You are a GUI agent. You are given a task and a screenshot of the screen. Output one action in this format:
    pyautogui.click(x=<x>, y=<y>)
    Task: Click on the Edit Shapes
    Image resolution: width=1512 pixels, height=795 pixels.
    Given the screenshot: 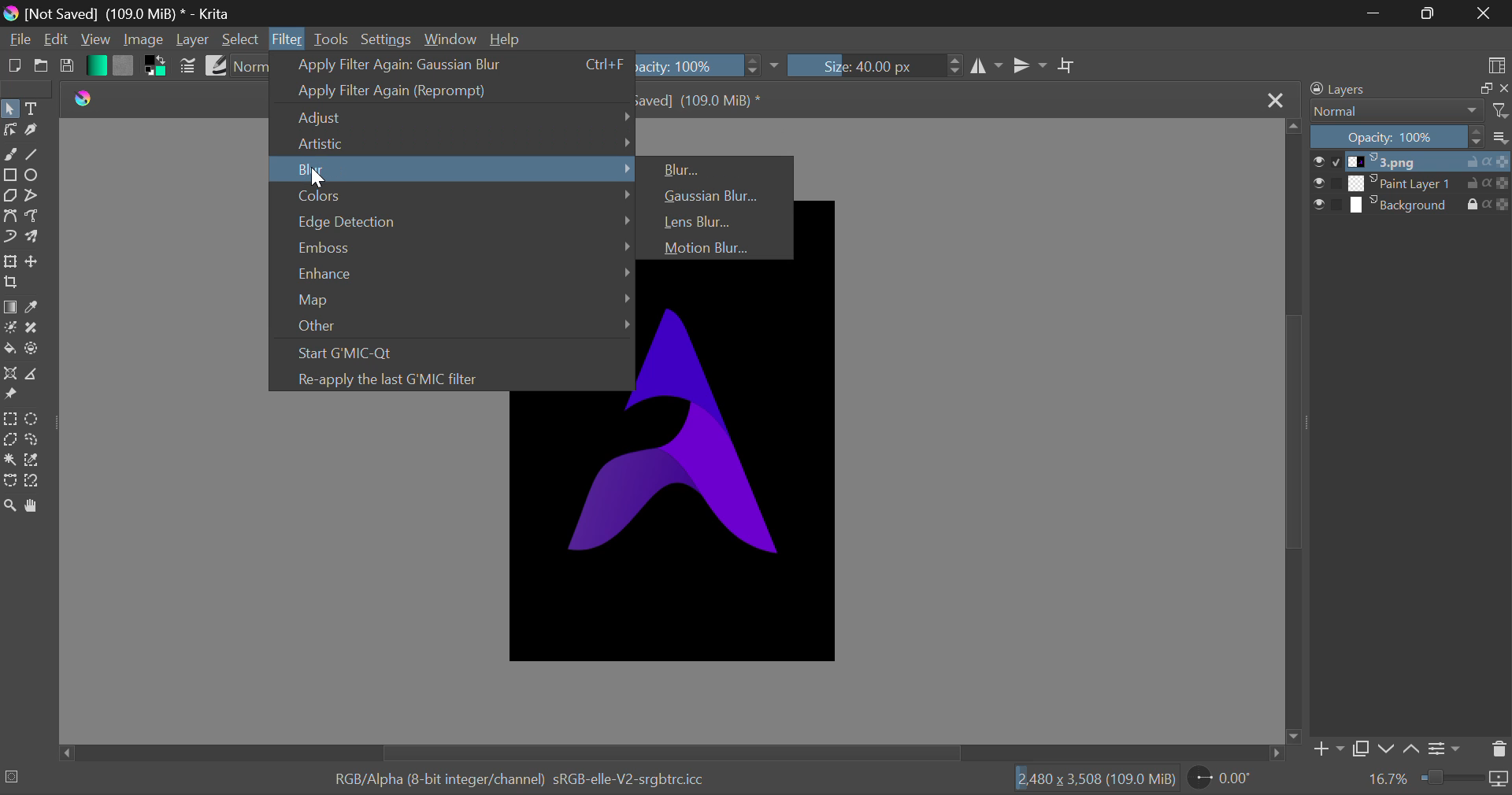 What is the action you would take?
    pyautogui.click(x=9, y=131)
    